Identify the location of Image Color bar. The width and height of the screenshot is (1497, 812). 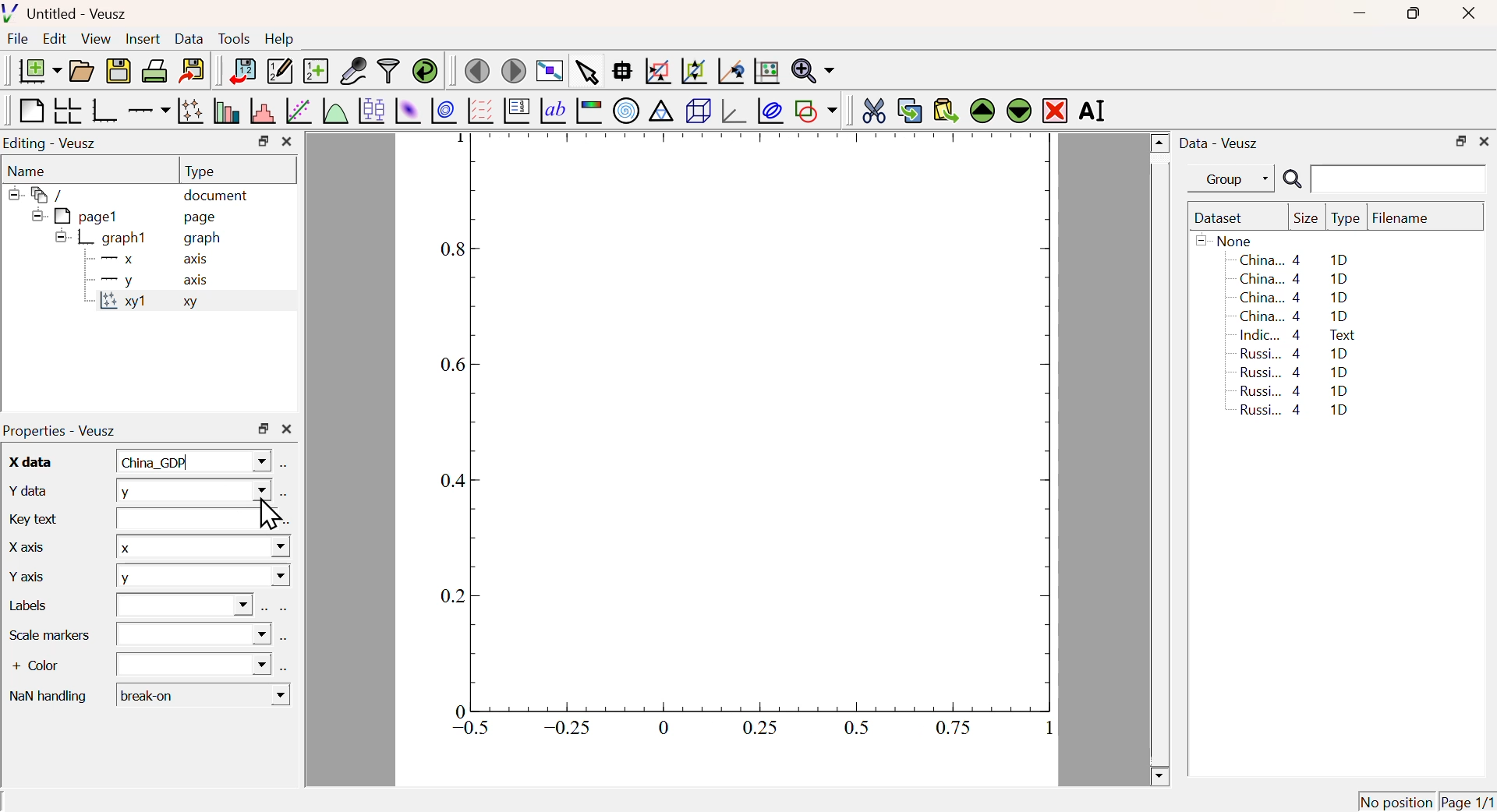
(589, 111).